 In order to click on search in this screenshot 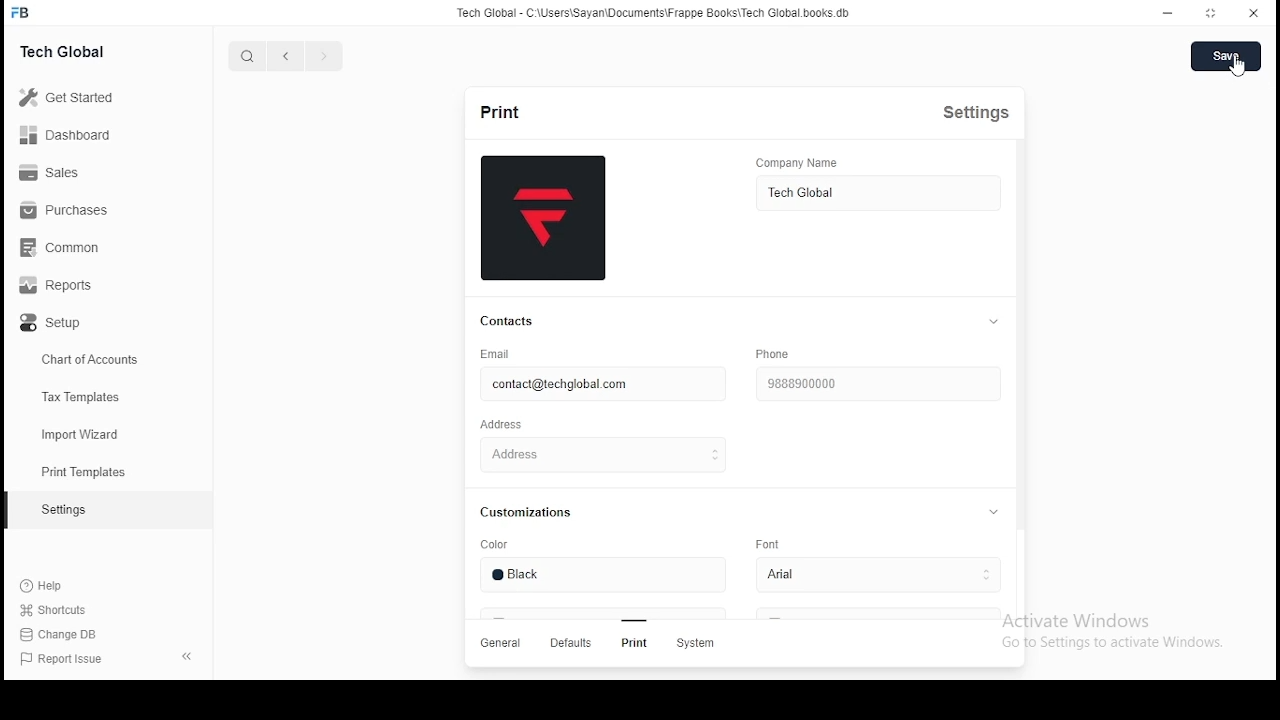, I will do `click(246, 57)`.